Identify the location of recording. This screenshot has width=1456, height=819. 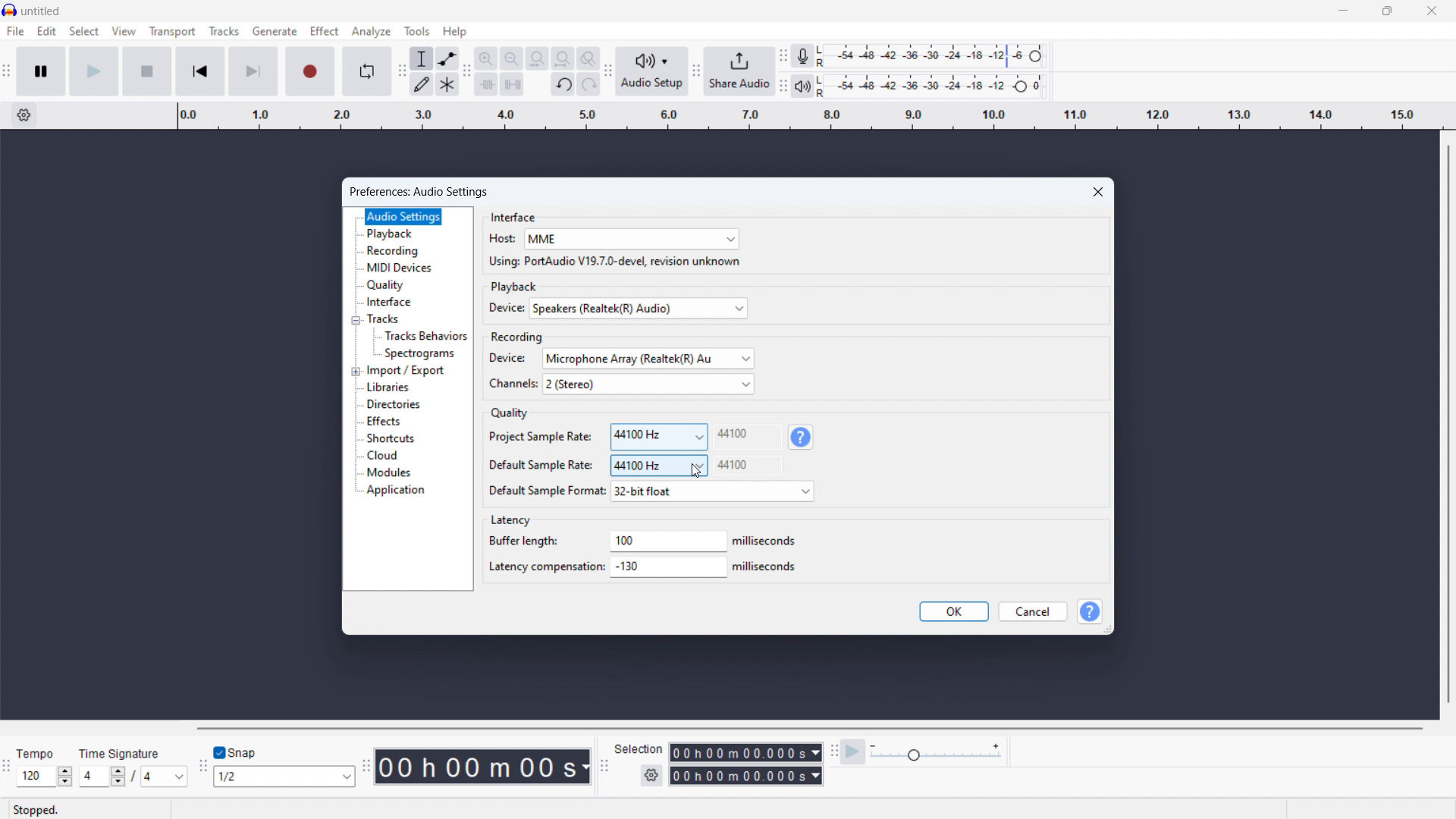
(519, 336).